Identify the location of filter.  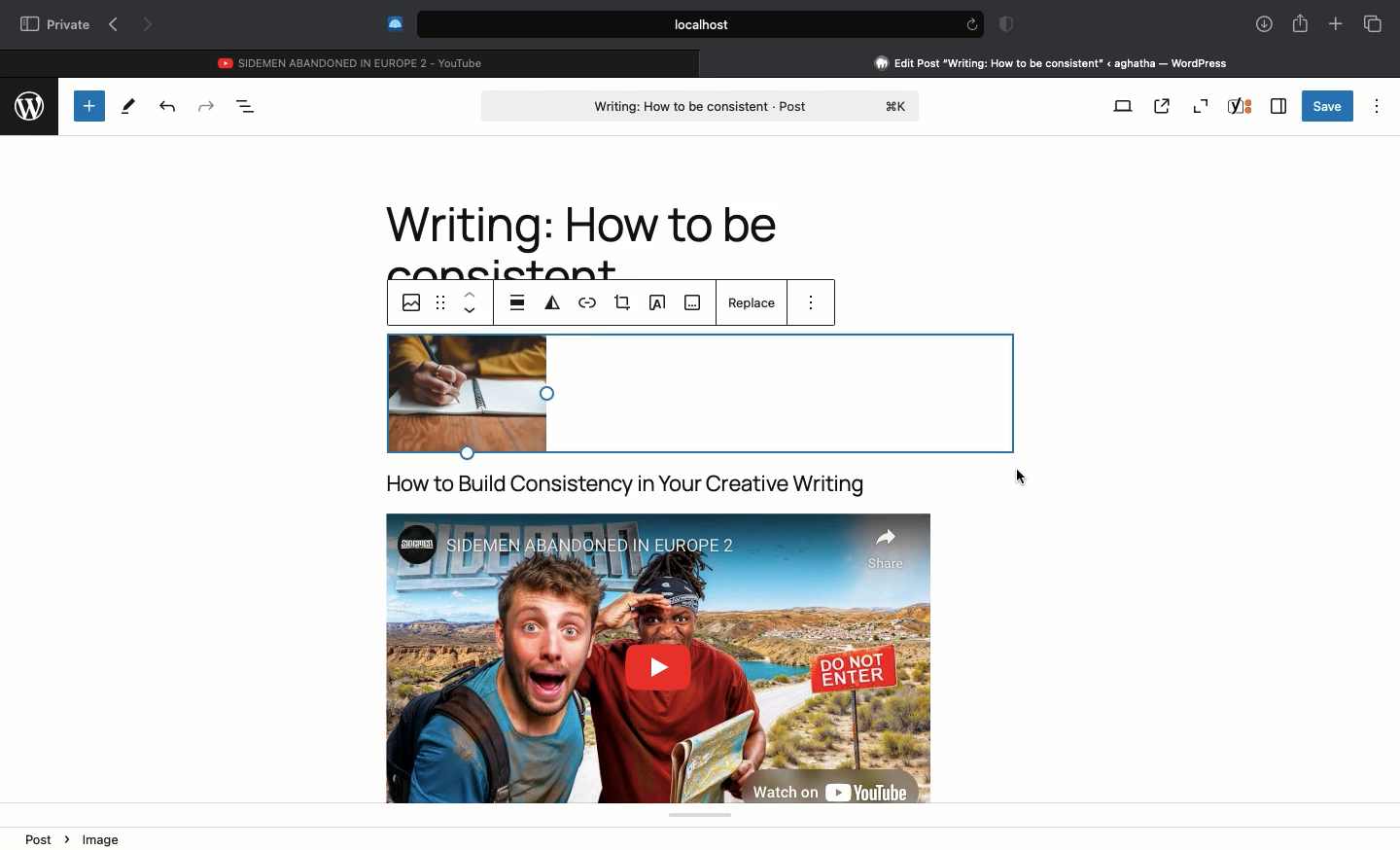
(552, 301).